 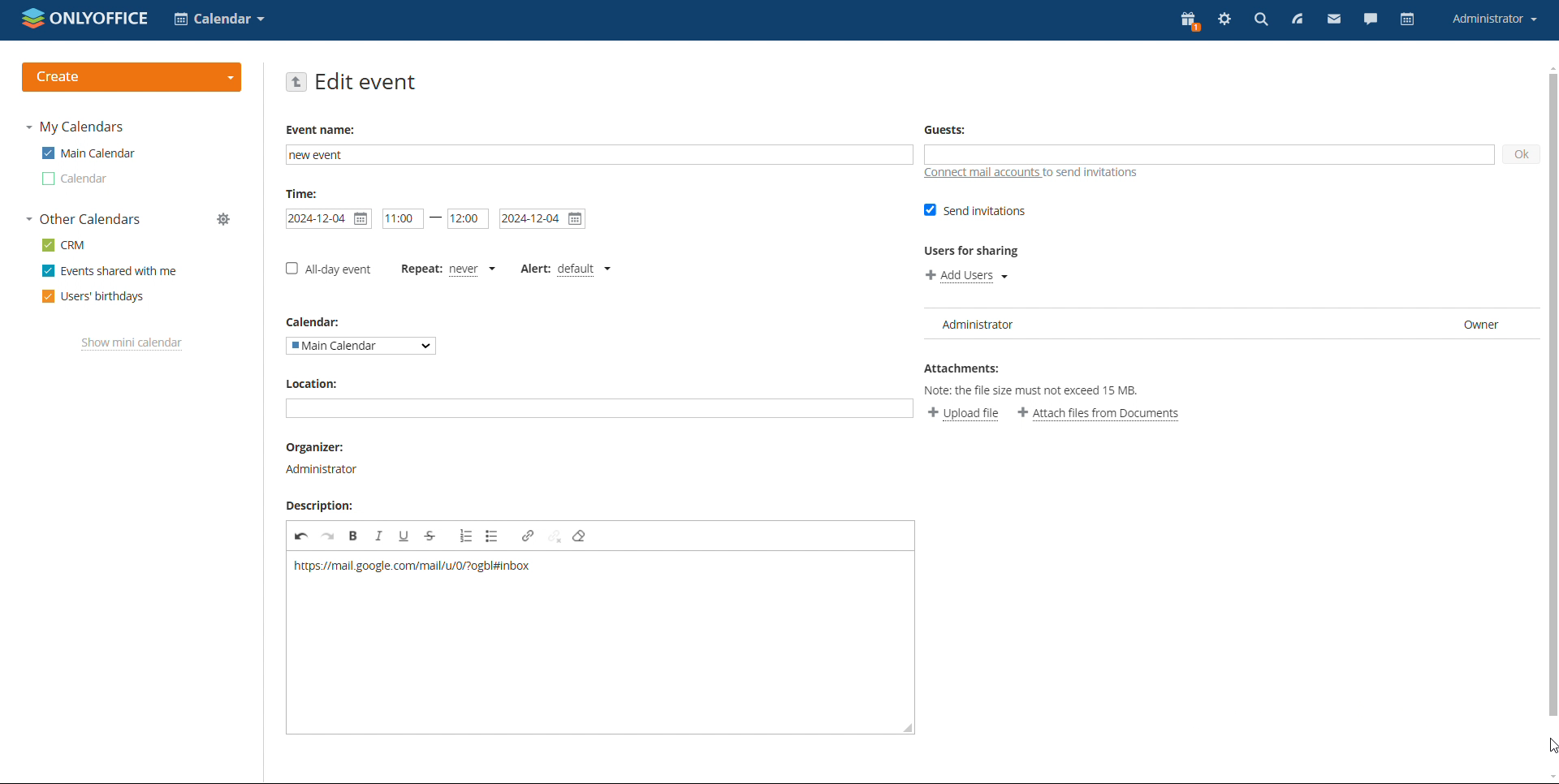 I want to click on ok, so click(x=1522, y=154).